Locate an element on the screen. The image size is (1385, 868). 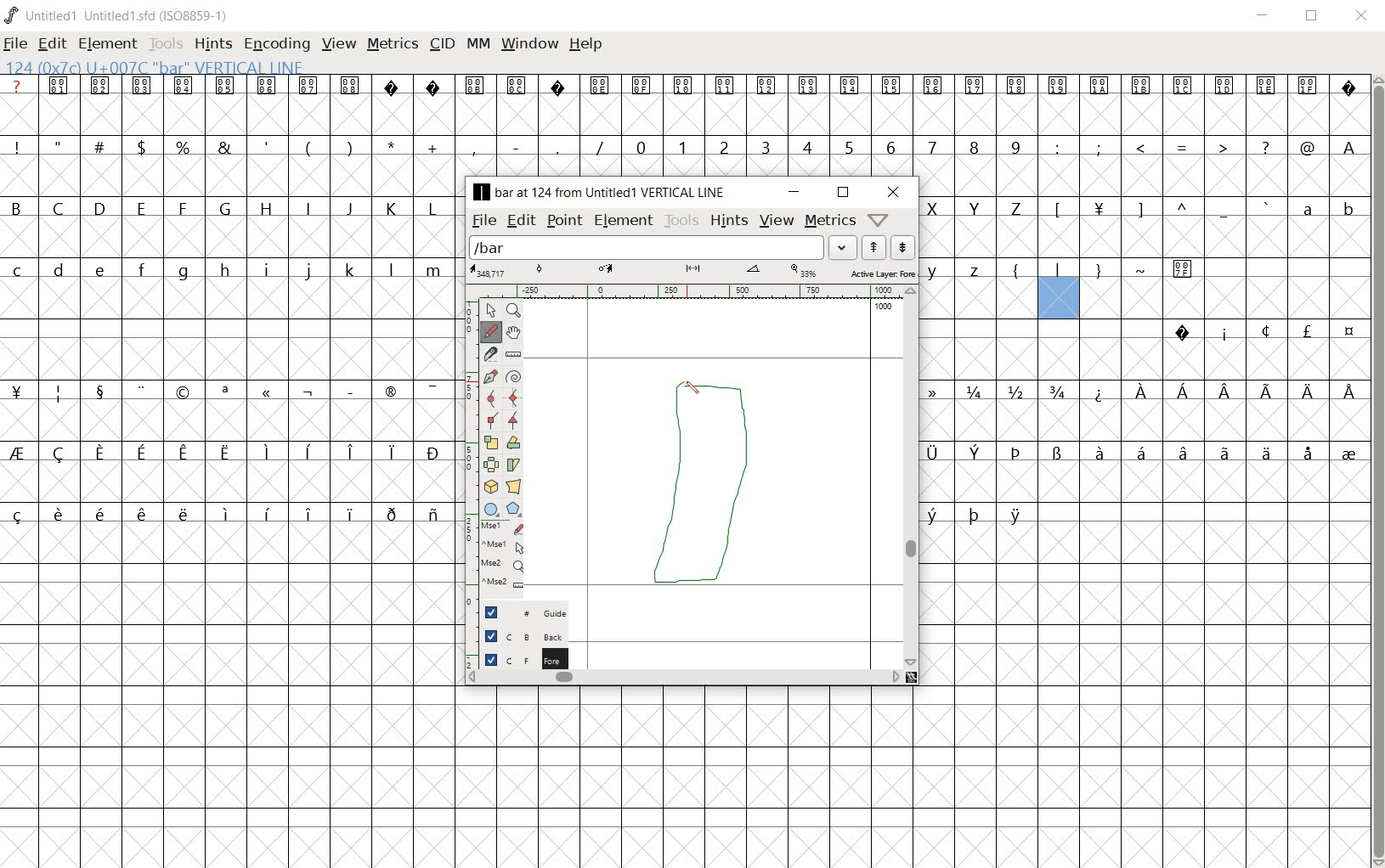
add a curve point is located at coordinates (489, 397).